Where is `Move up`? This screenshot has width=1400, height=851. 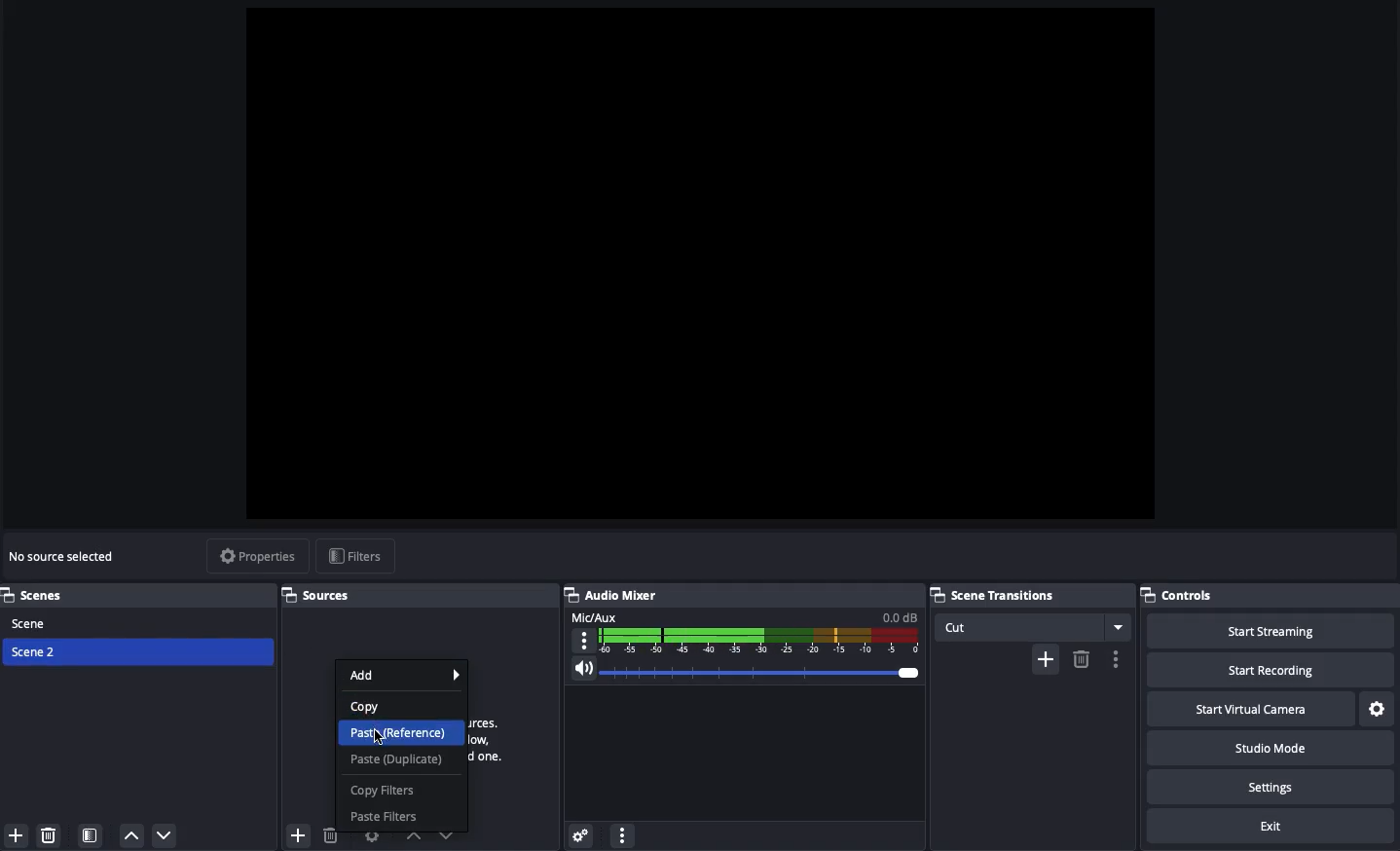
Move up is located at coordinates (133, 836).